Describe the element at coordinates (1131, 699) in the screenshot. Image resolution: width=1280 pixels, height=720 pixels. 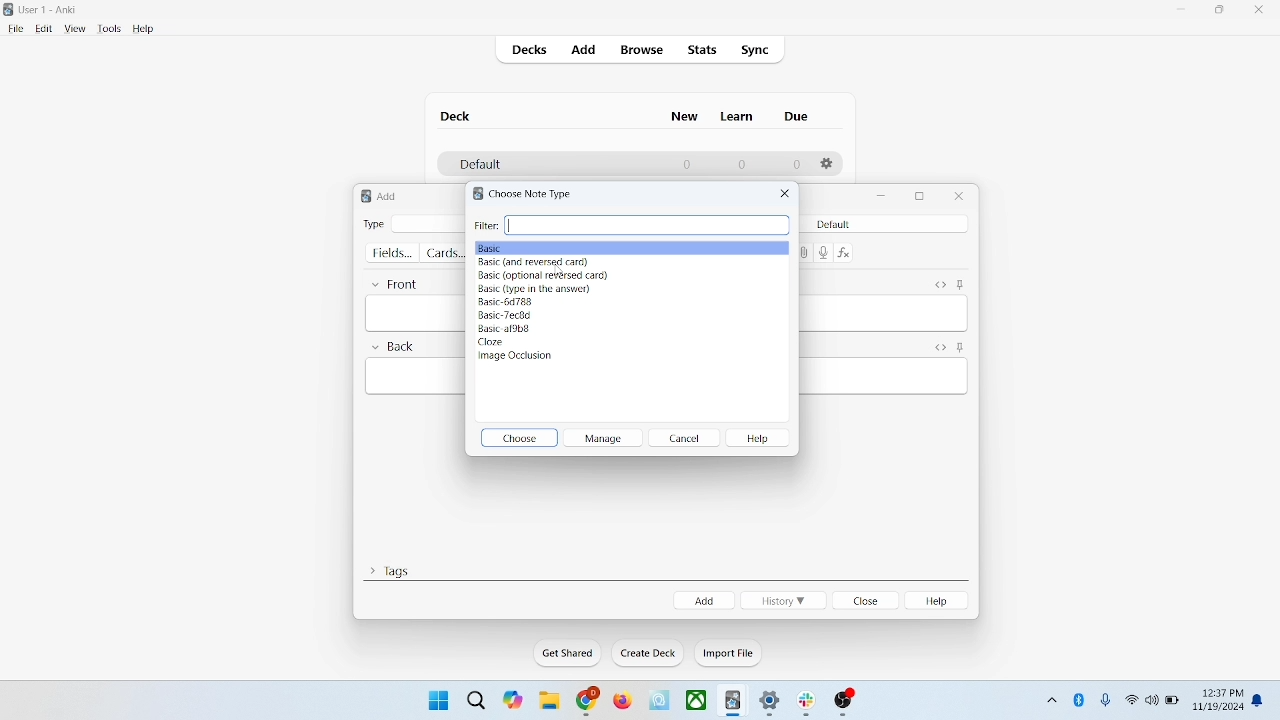
I see `wifi` at that location.